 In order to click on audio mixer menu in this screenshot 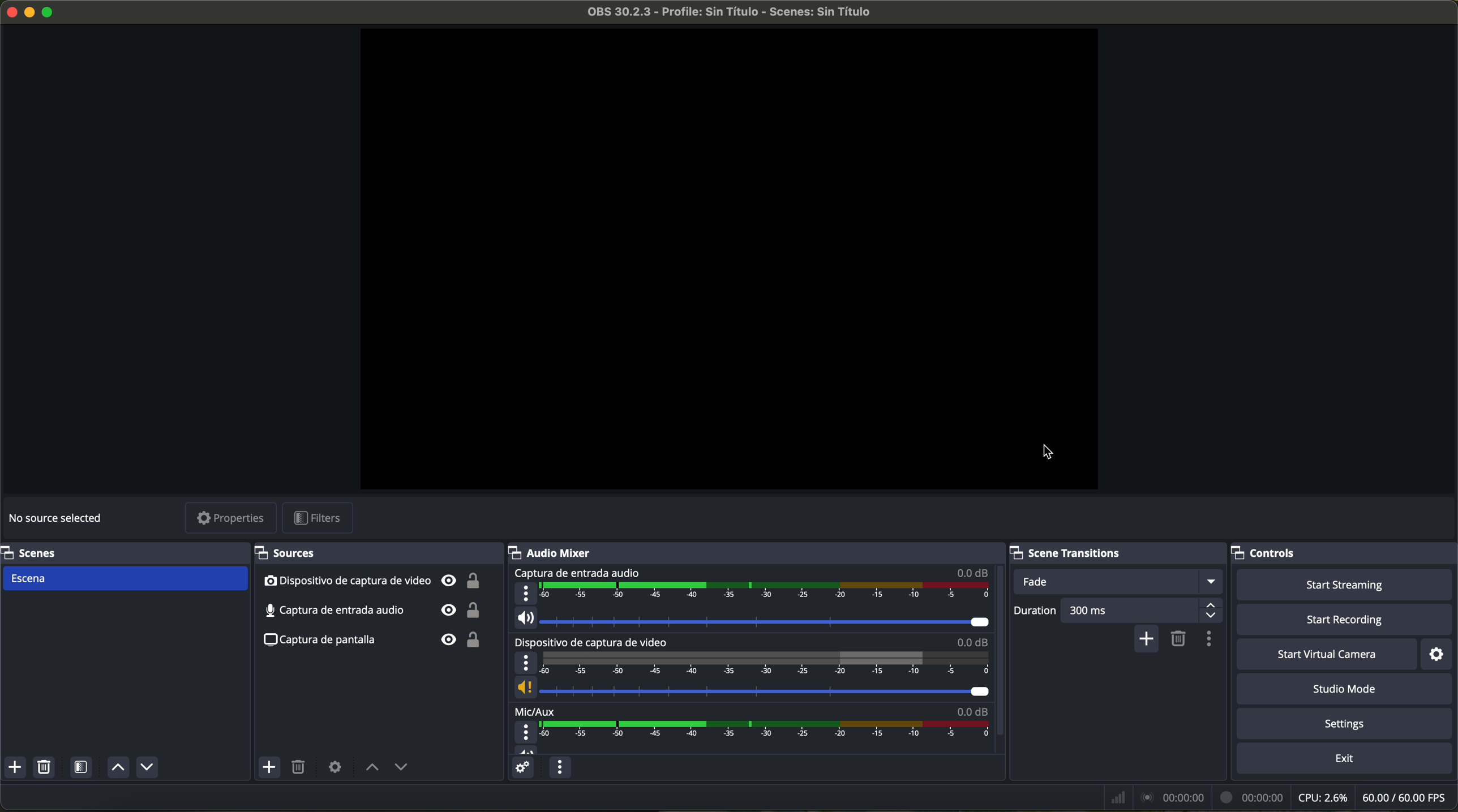, I will do `click(558, 768)`.